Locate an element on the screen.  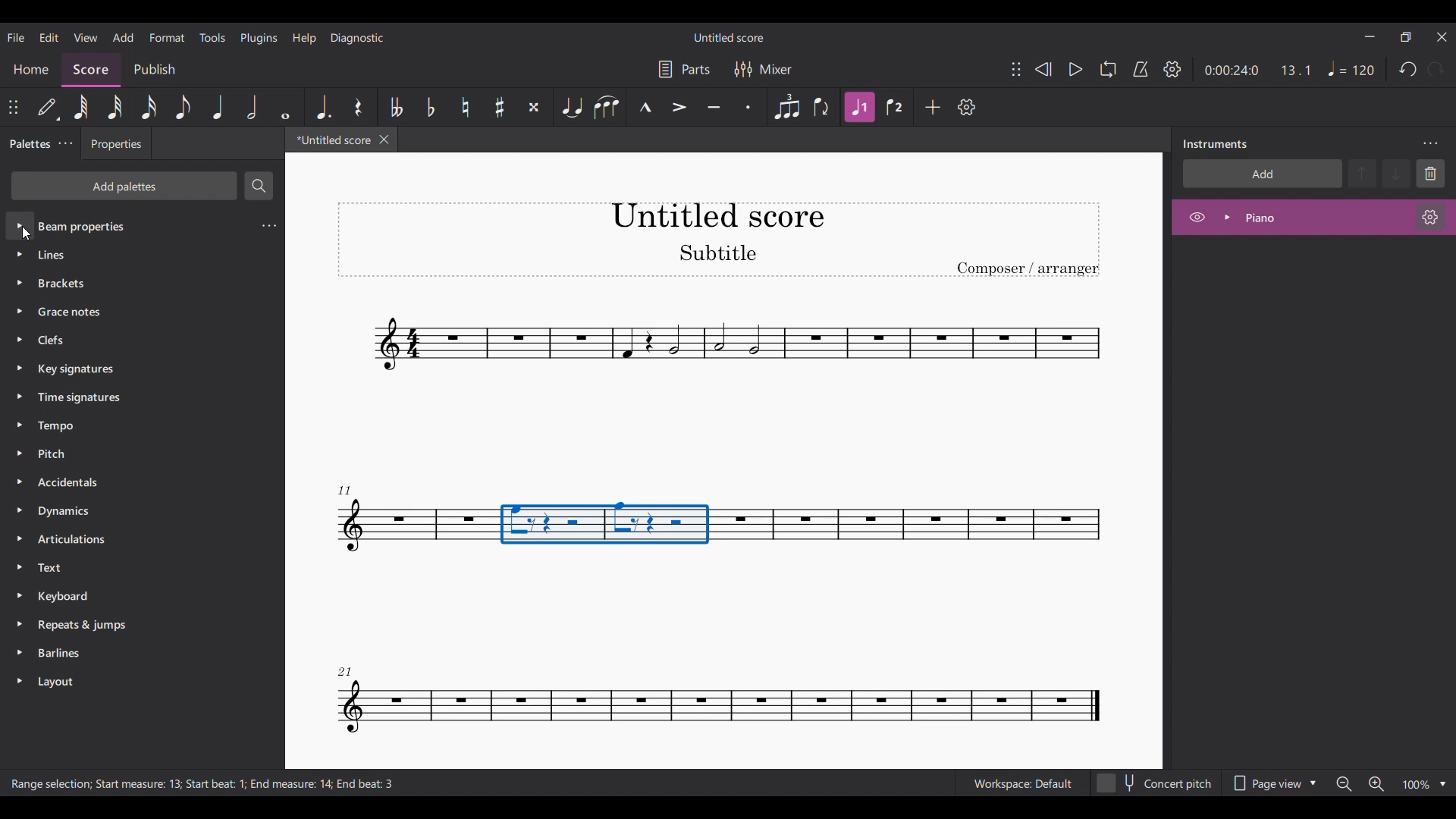
Toggle double sharp is located at coordinates (535, 107).